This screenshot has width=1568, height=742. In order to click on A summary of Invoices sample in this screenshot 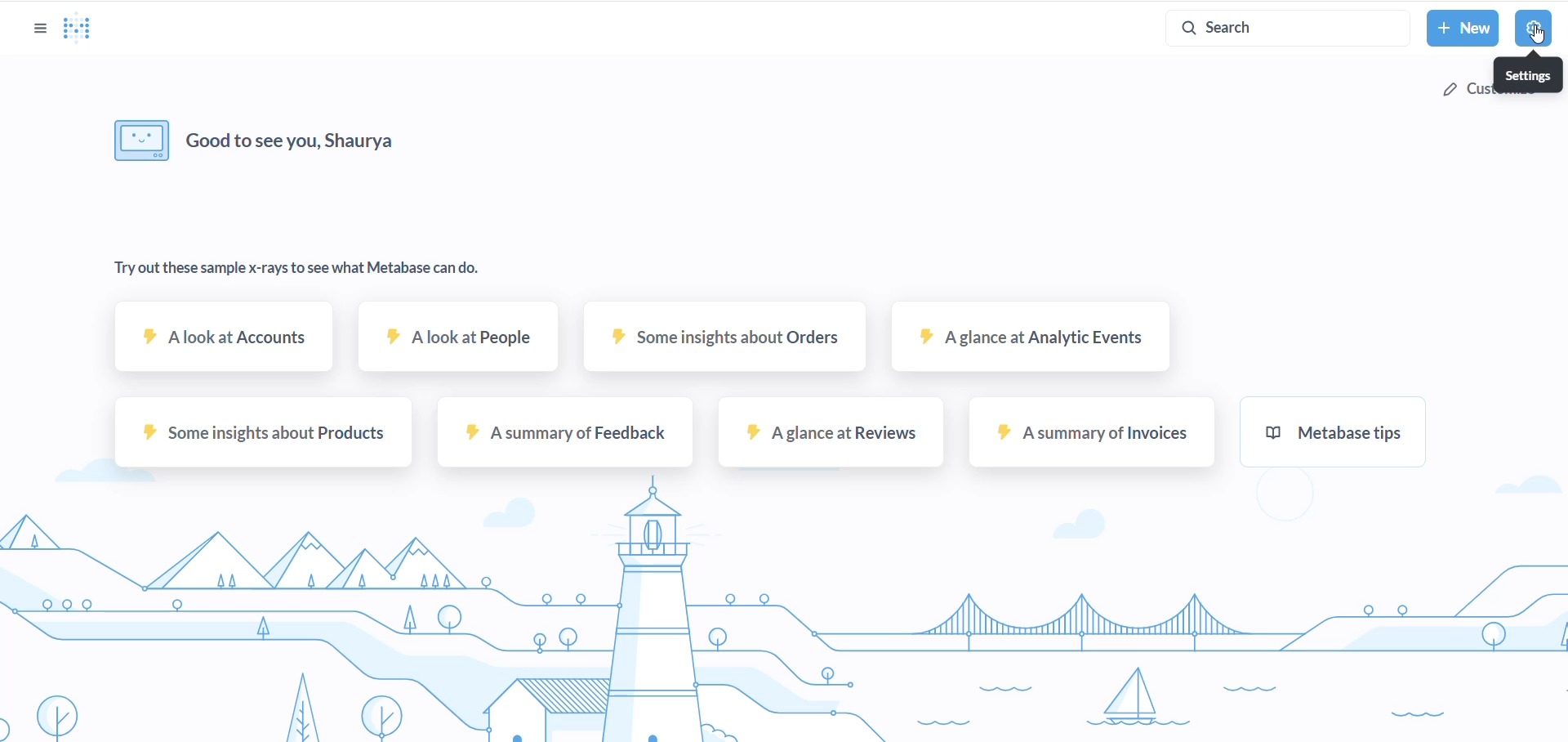, I will do `click(1086, 441)`.